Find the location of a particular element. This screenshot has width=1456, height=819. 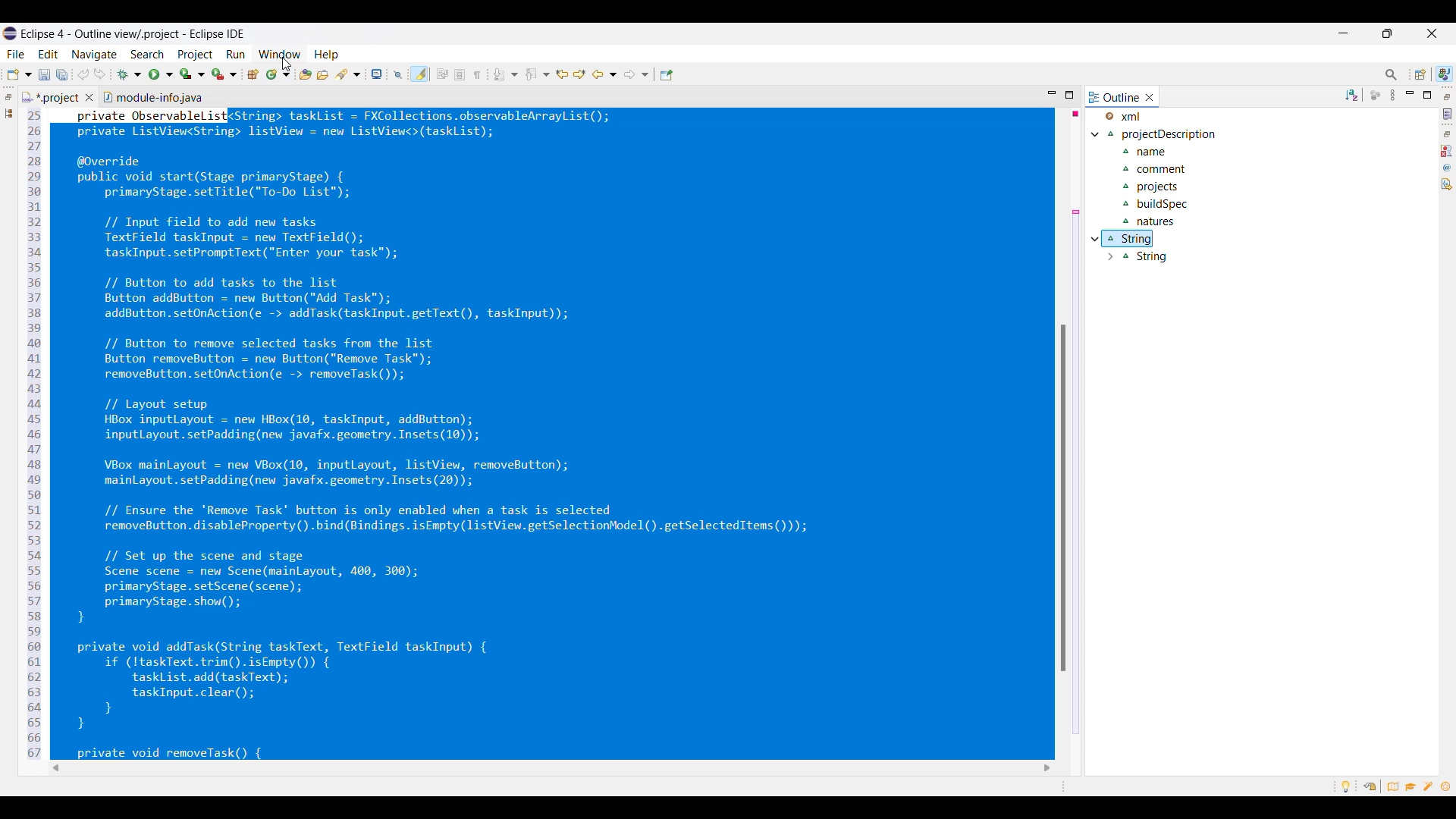

Maximize is located at coordinates (1070, 95).